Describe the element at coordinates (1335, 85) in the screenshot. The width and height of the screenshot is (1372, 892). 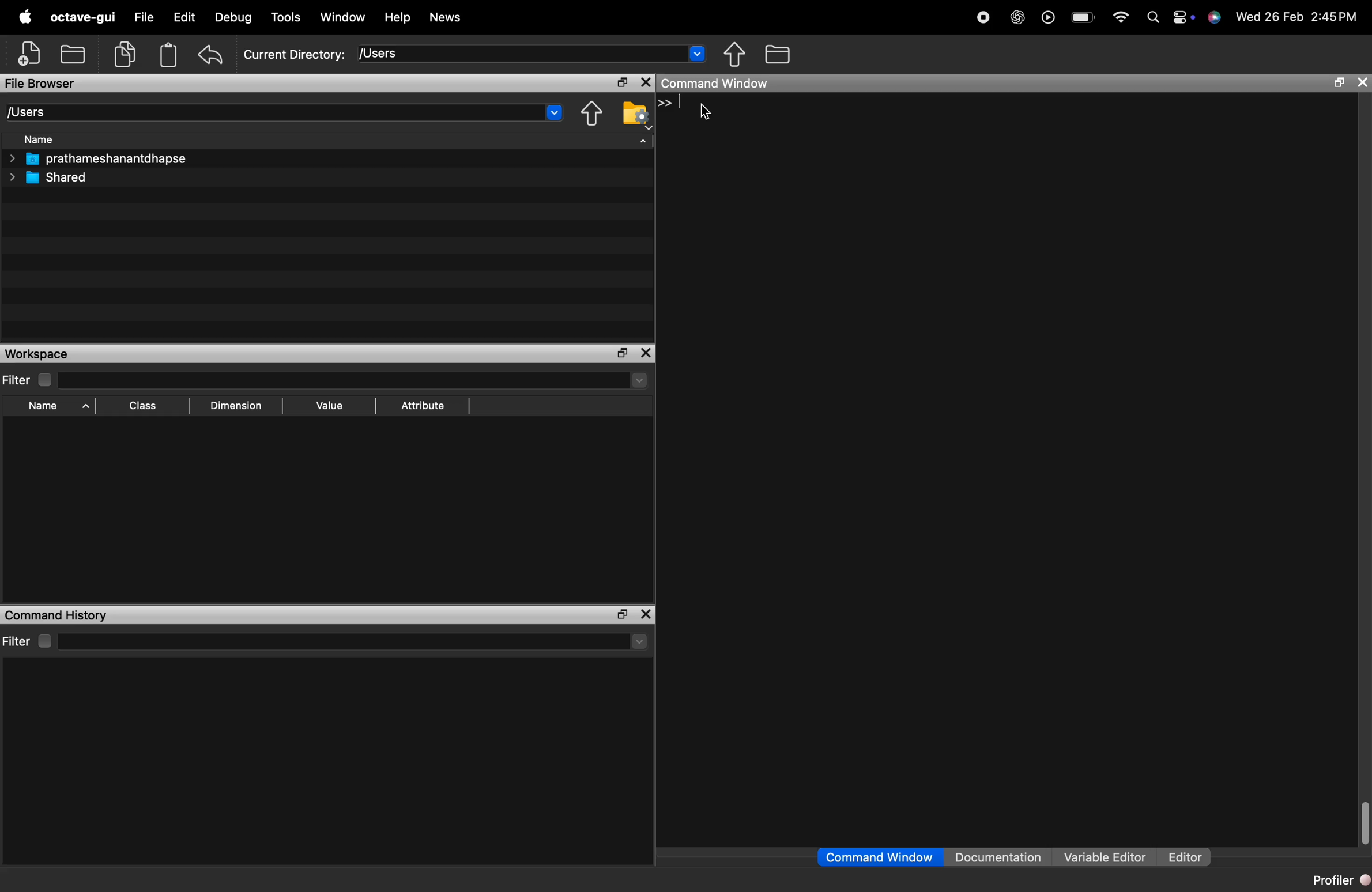
I see `maximise` at that location.